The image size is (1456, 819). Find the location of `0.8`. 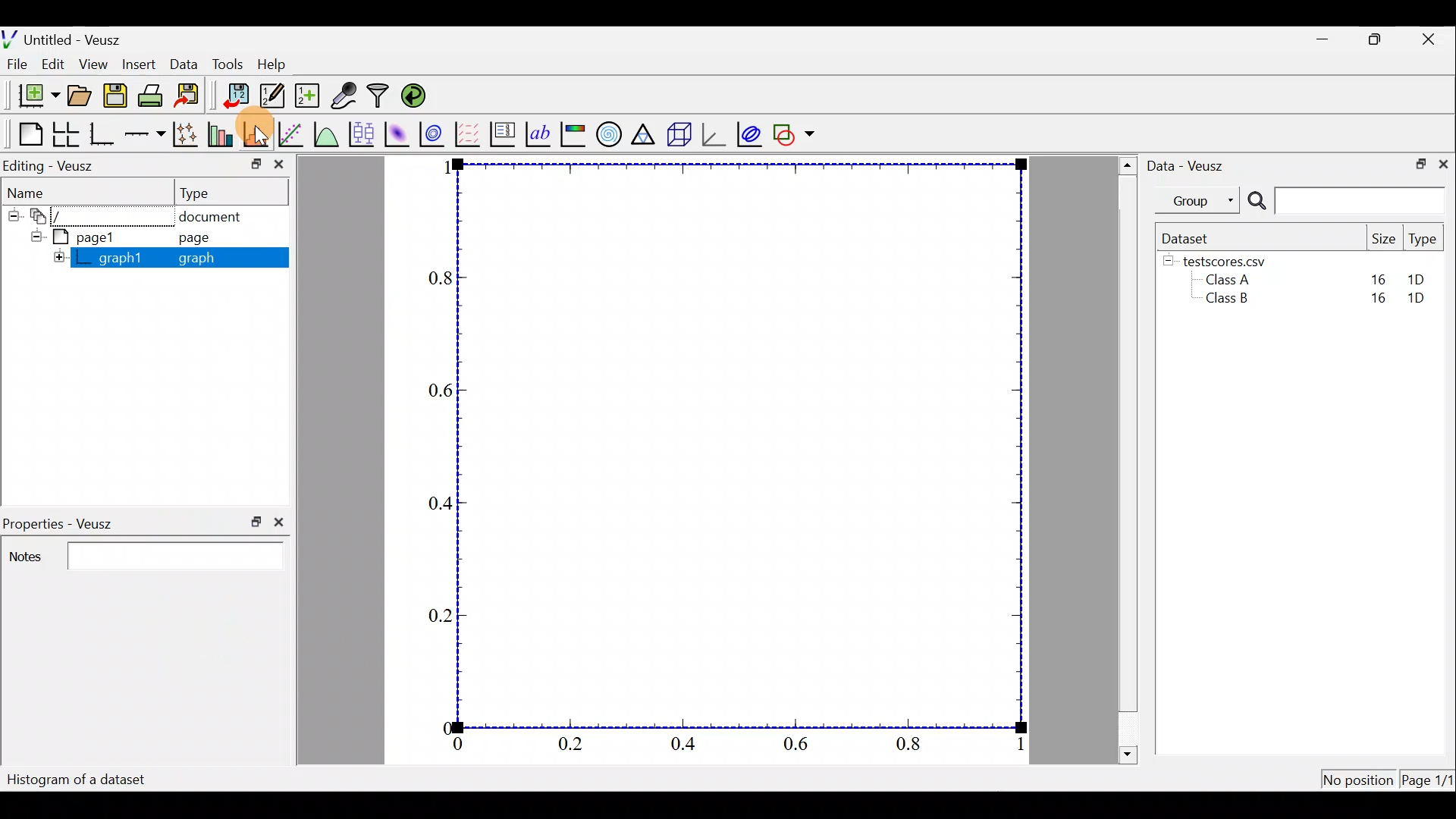

0.8 is located at coordinates (908, 746).